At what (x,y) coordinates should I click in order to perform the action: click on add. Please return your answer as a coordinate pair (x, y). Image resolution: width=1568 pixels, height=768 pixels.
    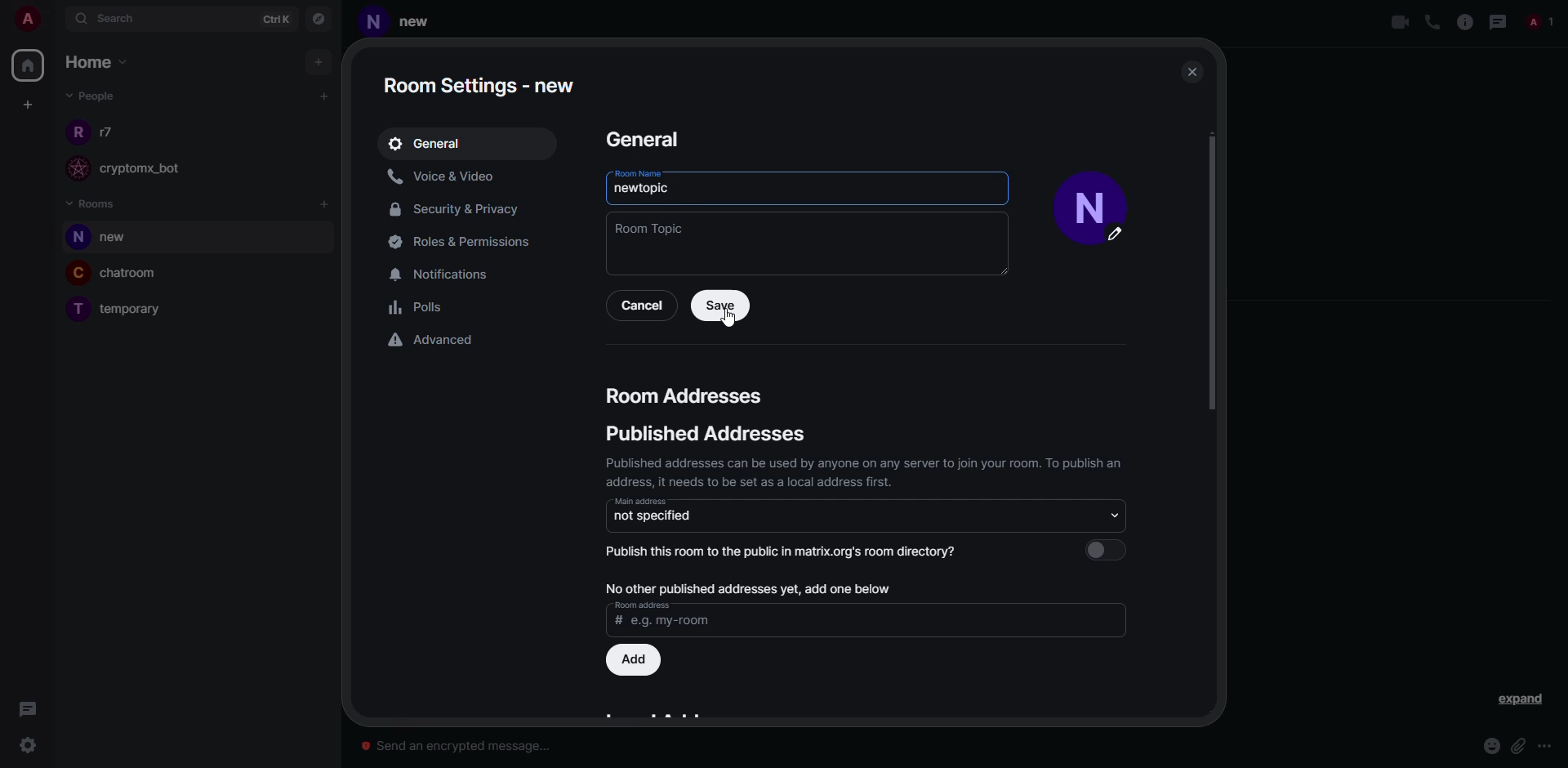
    Looking at the image, I should click on (321, 61).